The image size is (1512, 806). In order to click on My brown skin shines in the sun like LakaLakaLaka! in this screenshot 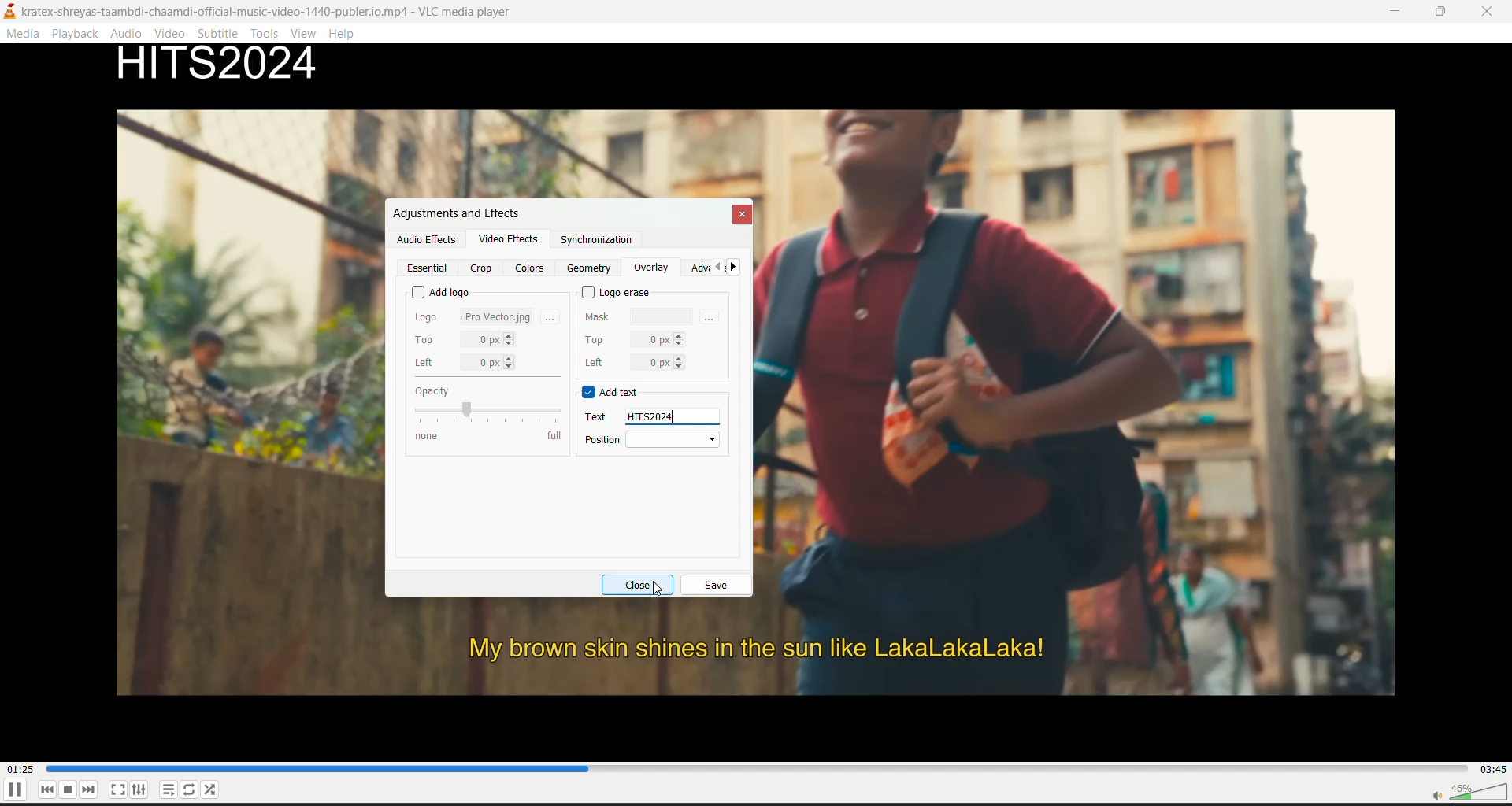, I will do `click(738, 649)`.